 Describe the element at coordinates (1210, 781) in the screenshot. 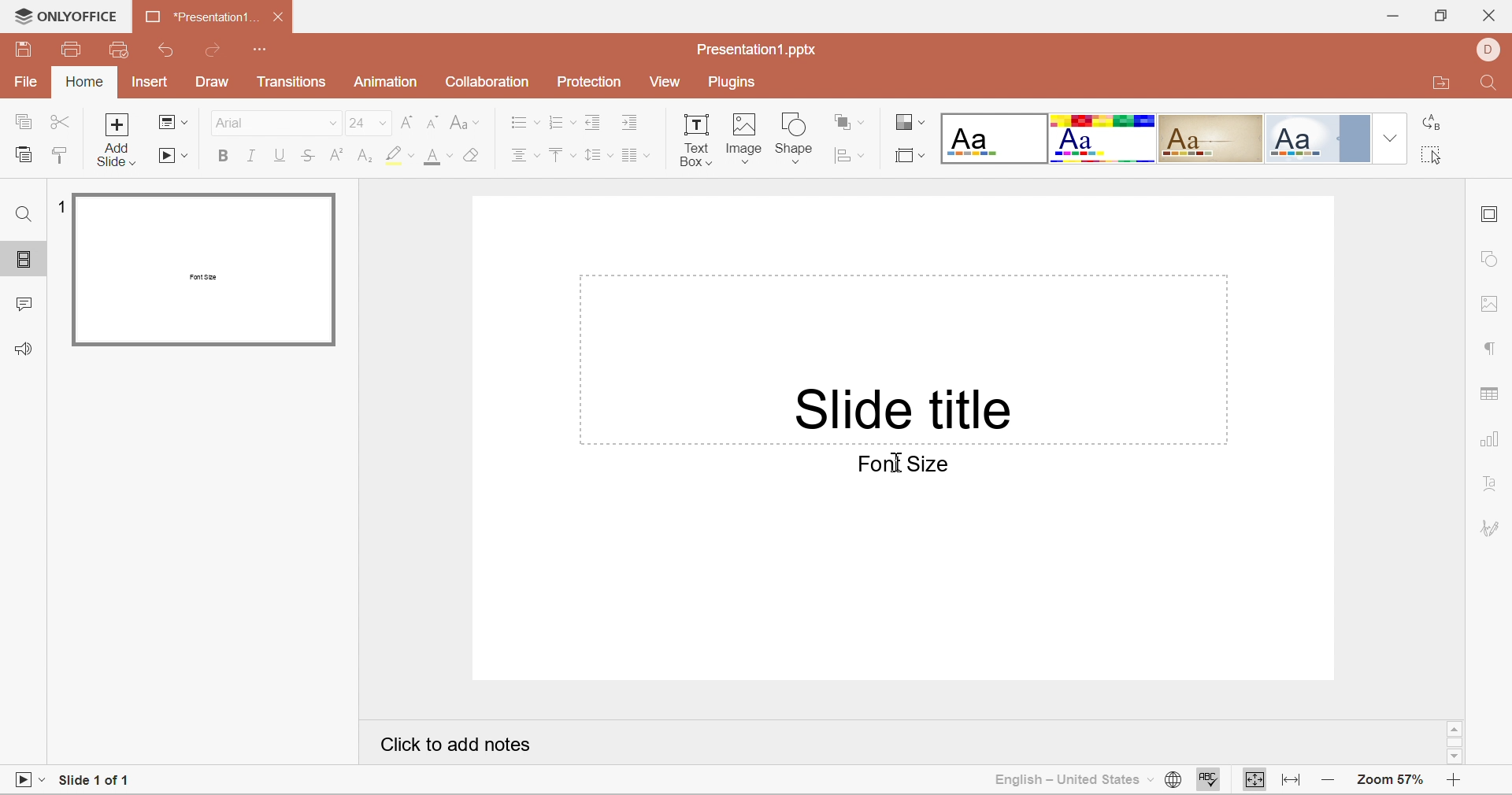

I see `Spell Checking` at that location.